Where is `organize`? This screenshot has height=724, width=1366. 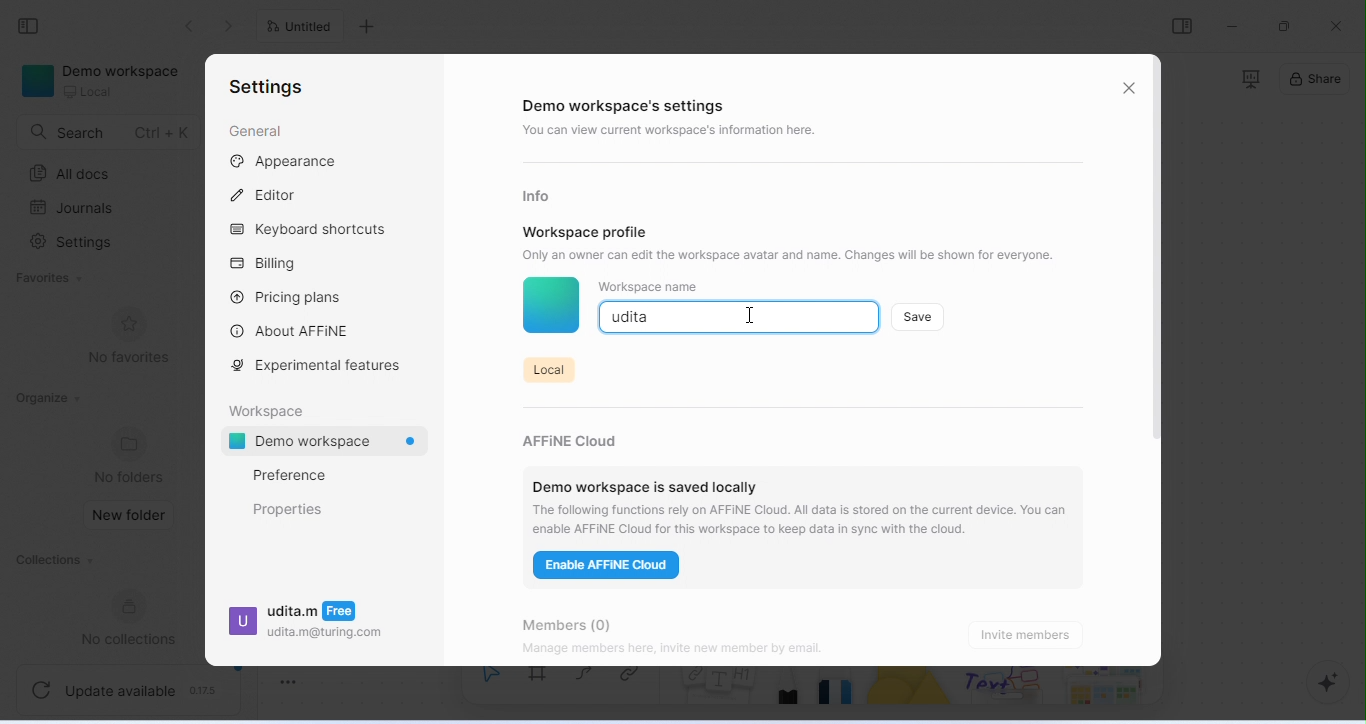 organize is located at coordinates (47, 398).